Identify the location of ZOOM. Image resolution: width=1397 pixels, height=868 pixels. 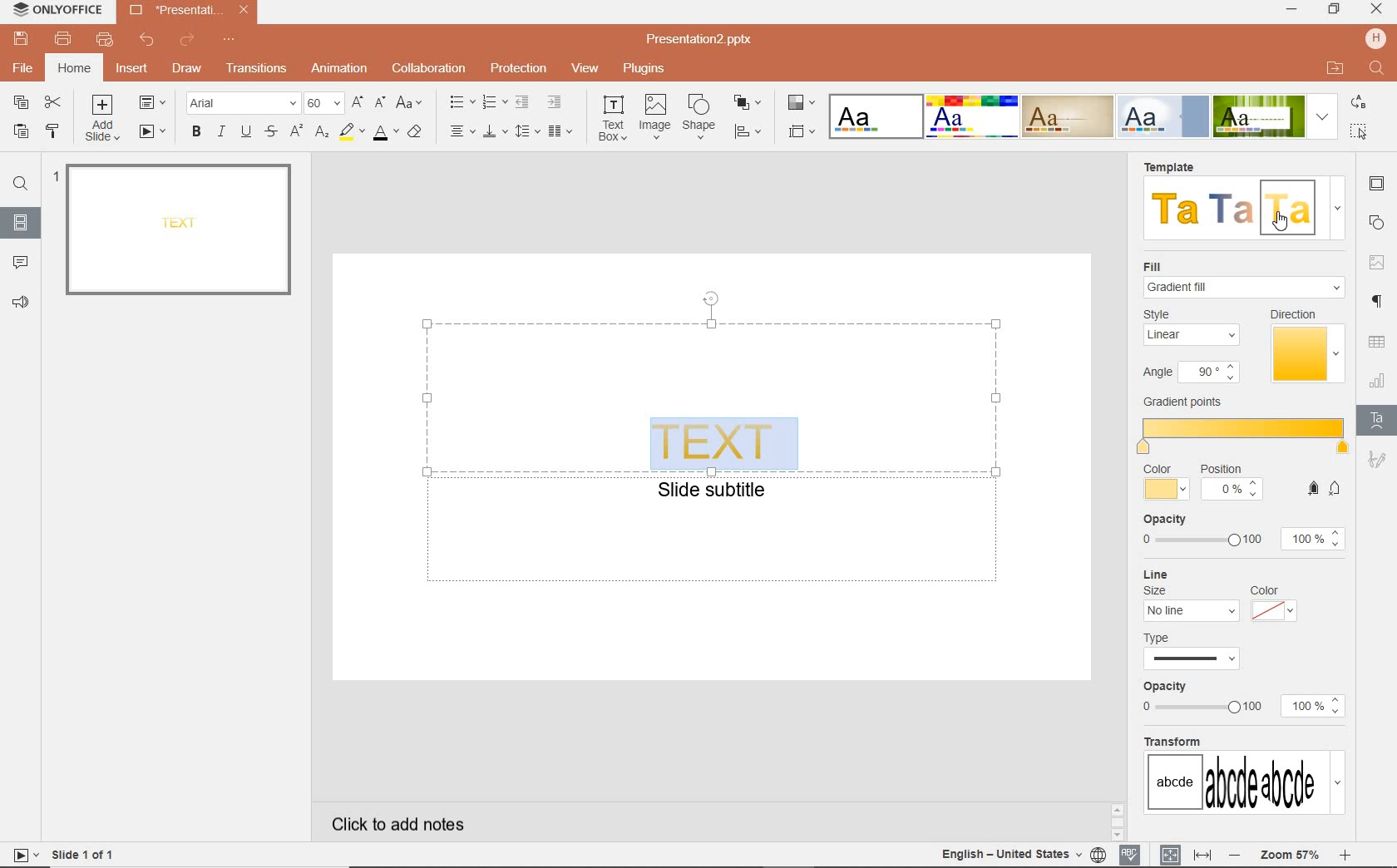
(1288, 856).